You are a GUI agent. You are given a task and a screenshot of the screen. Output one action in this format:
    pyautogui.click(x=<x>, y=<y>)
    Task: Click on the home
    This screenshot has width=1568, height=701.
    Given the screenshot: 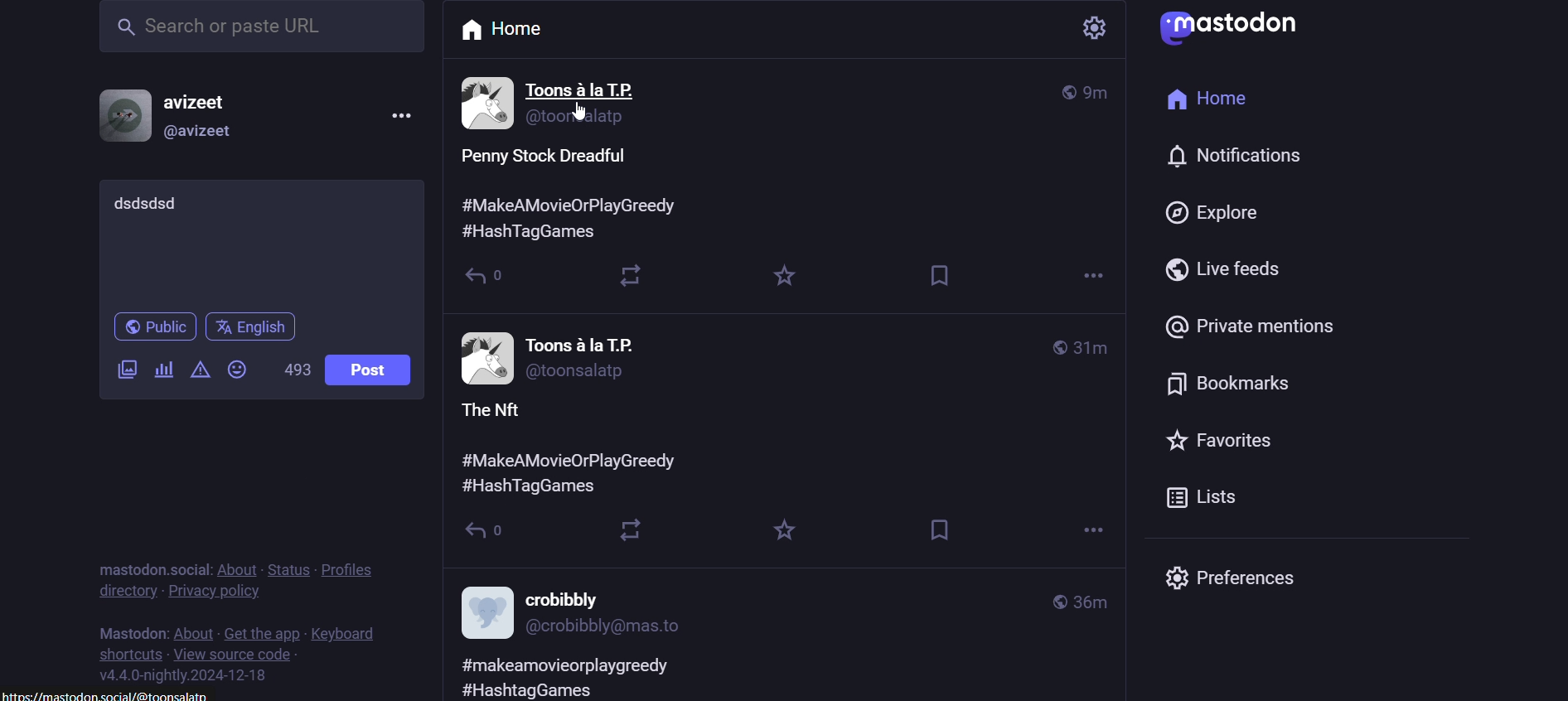 What is the action you would take?
    pyautogui.click(x=506, y=31)
    